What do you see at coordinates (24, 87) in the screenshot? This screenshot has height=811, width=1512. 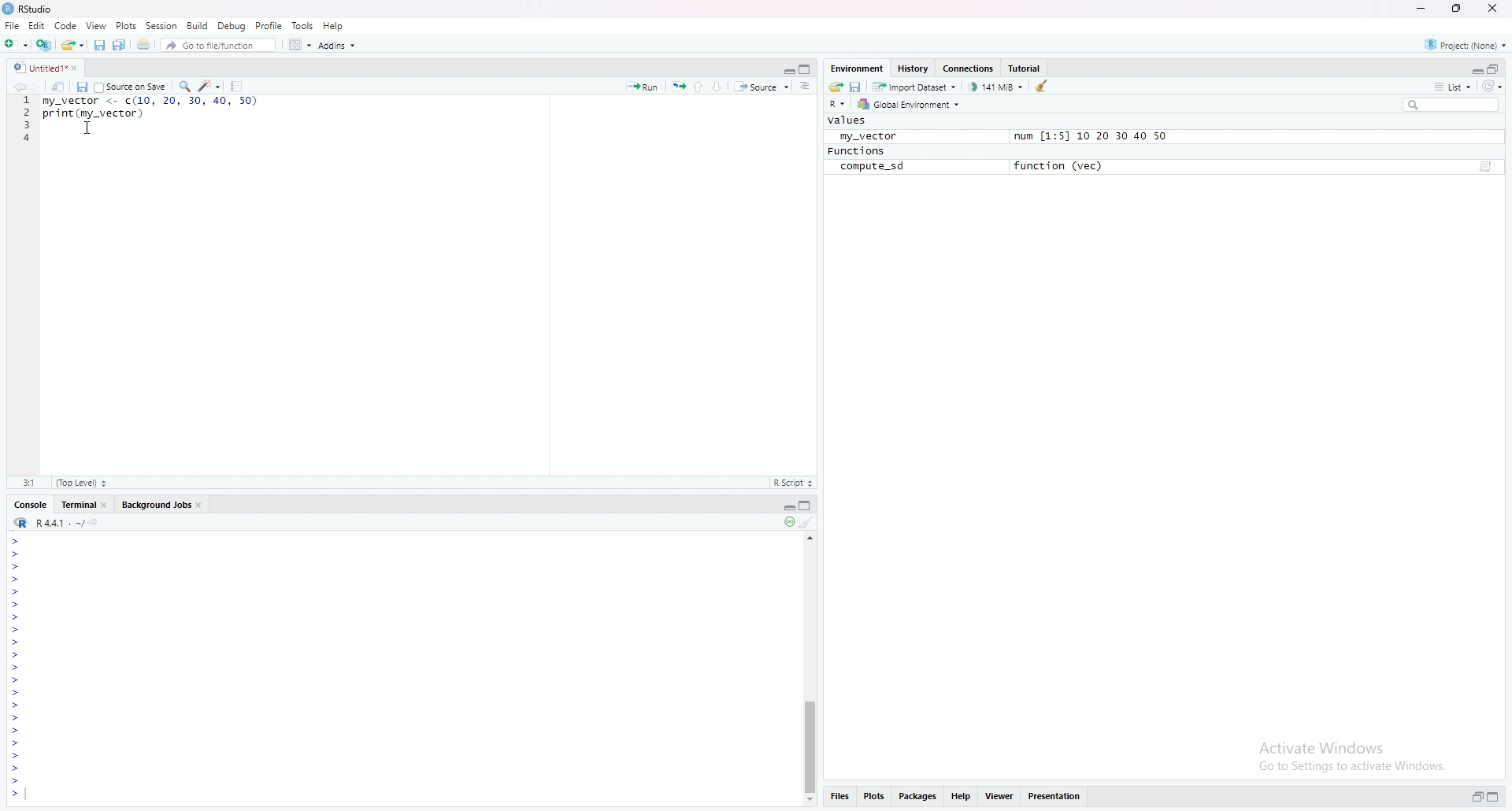 I see `Go back to the previous source location (Ctrl + F9)` at bounding box center [24, 87].